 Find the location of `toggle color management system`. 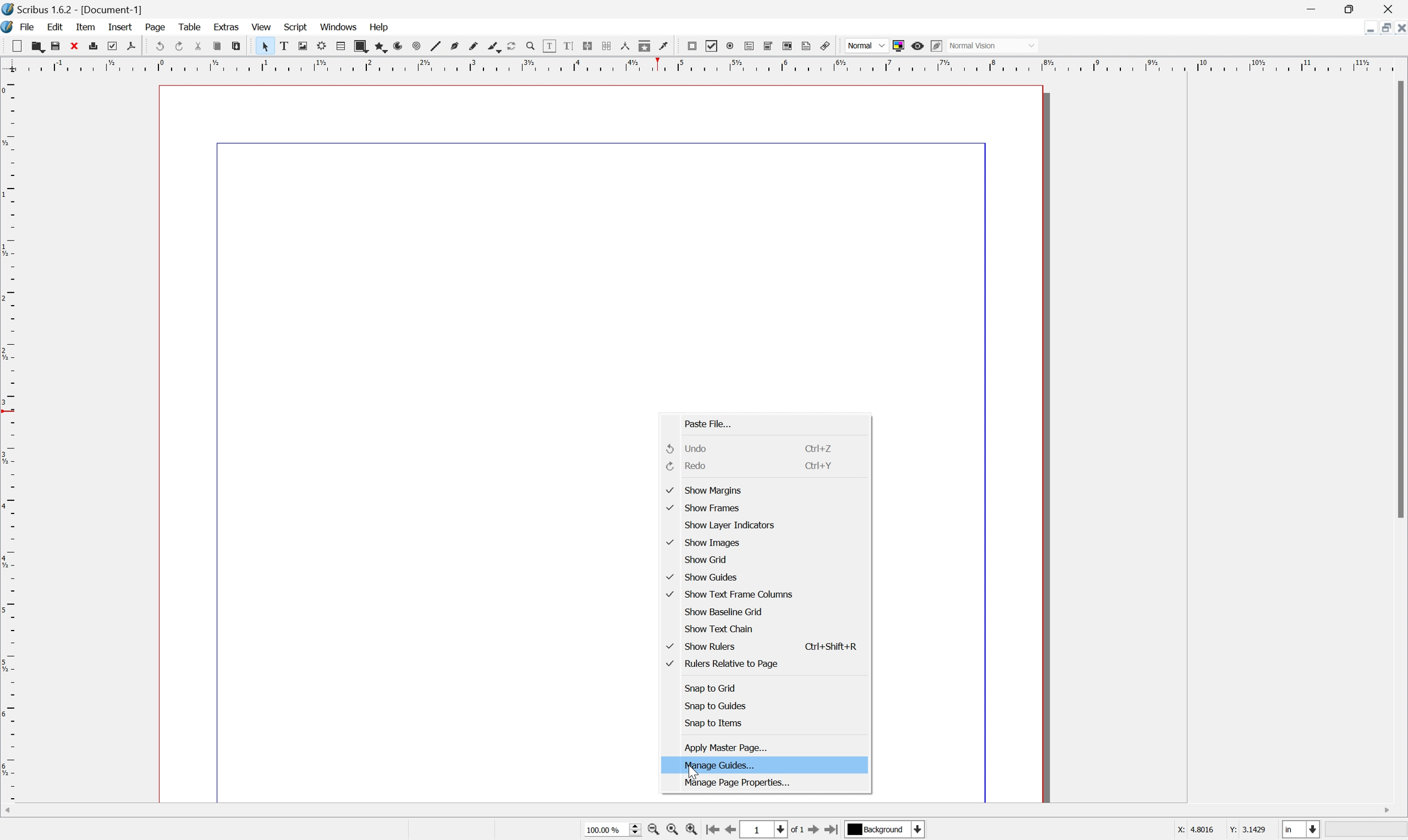

toggle color management system is located at coordinates (898, 46).